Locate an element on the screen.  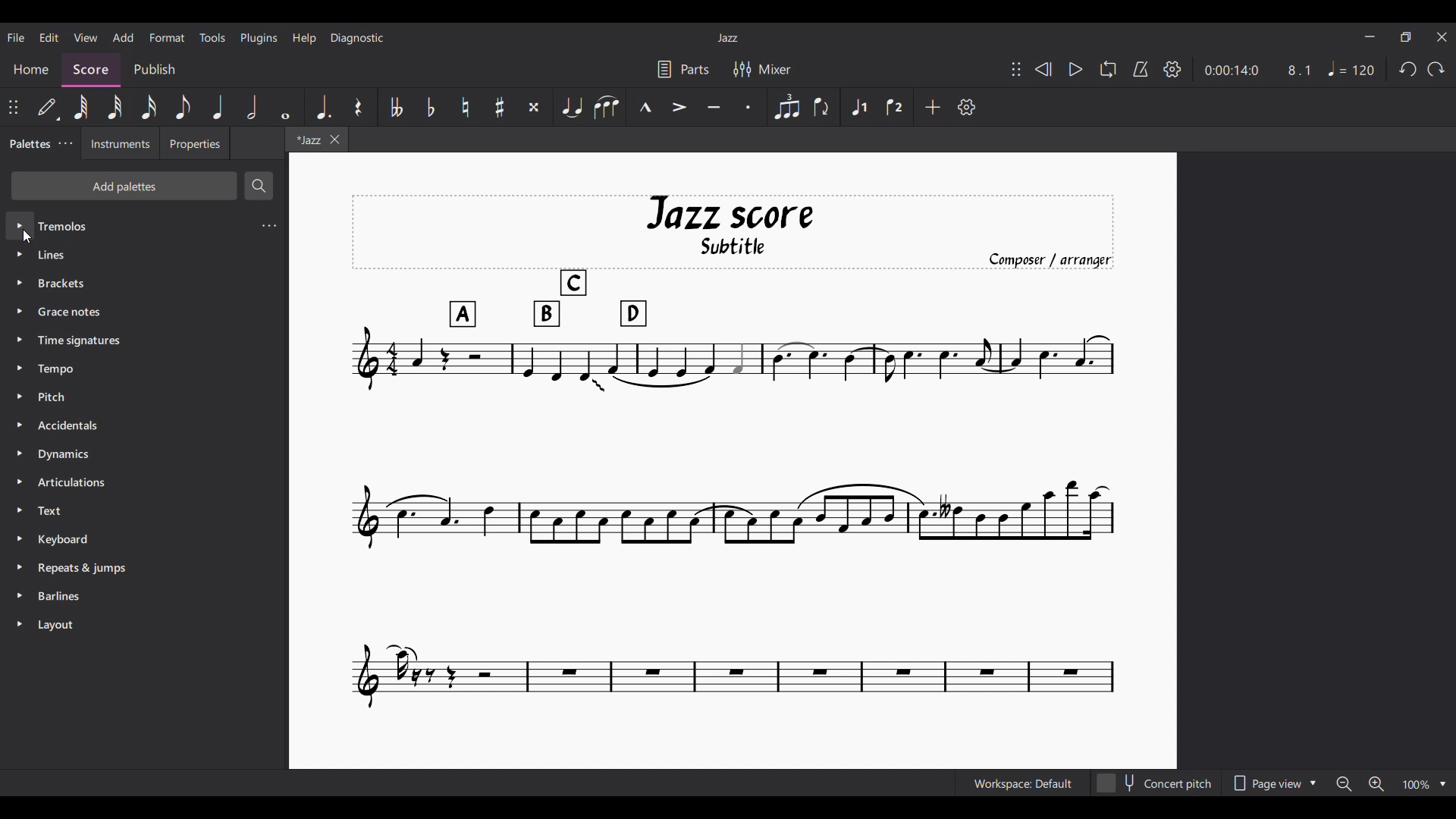
Toggle double flat is located at coordinates (396, 106).